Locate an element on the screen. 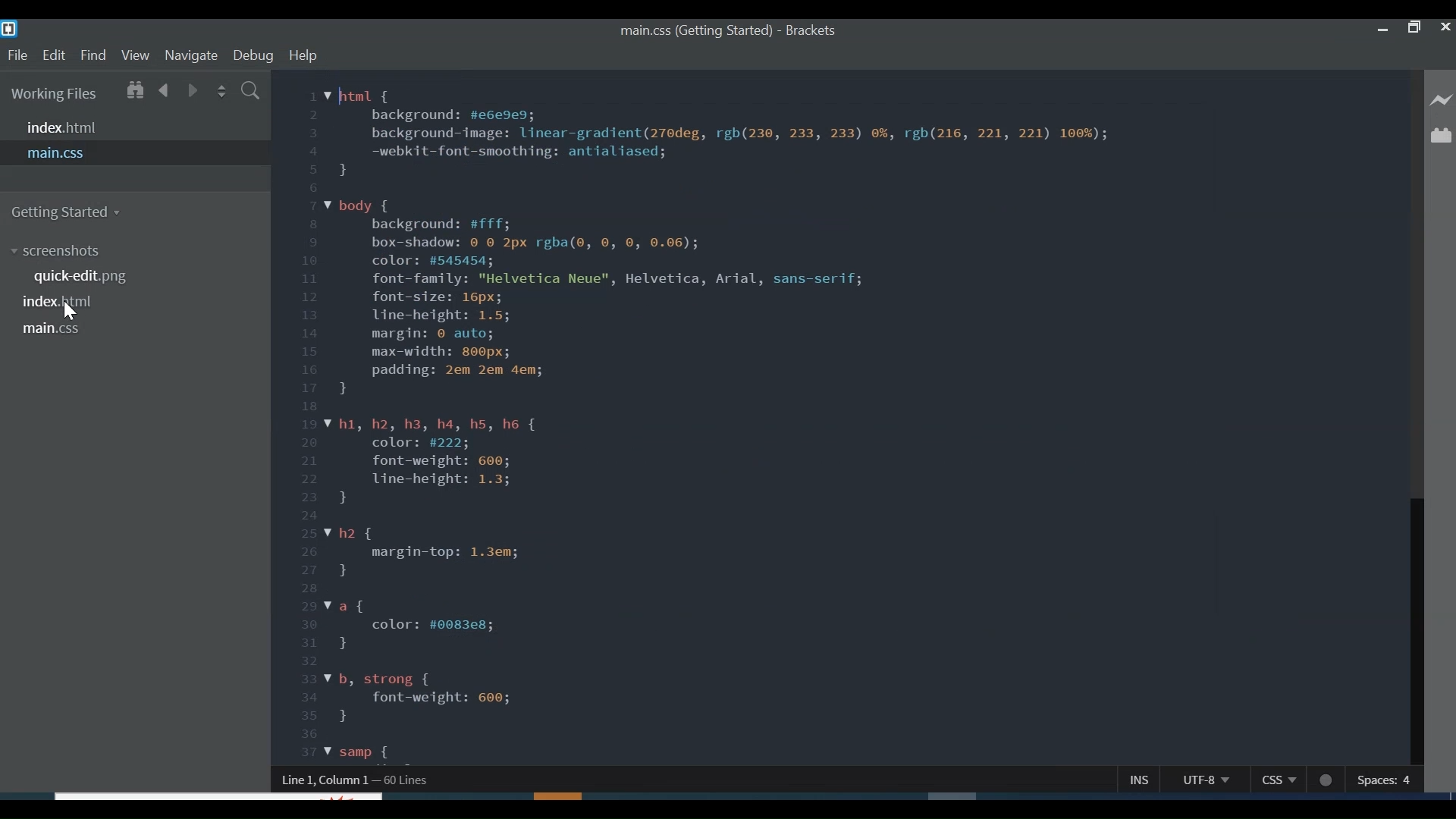 The image size is (1456, 819). Screenshots is located at coordinates (63, 252).